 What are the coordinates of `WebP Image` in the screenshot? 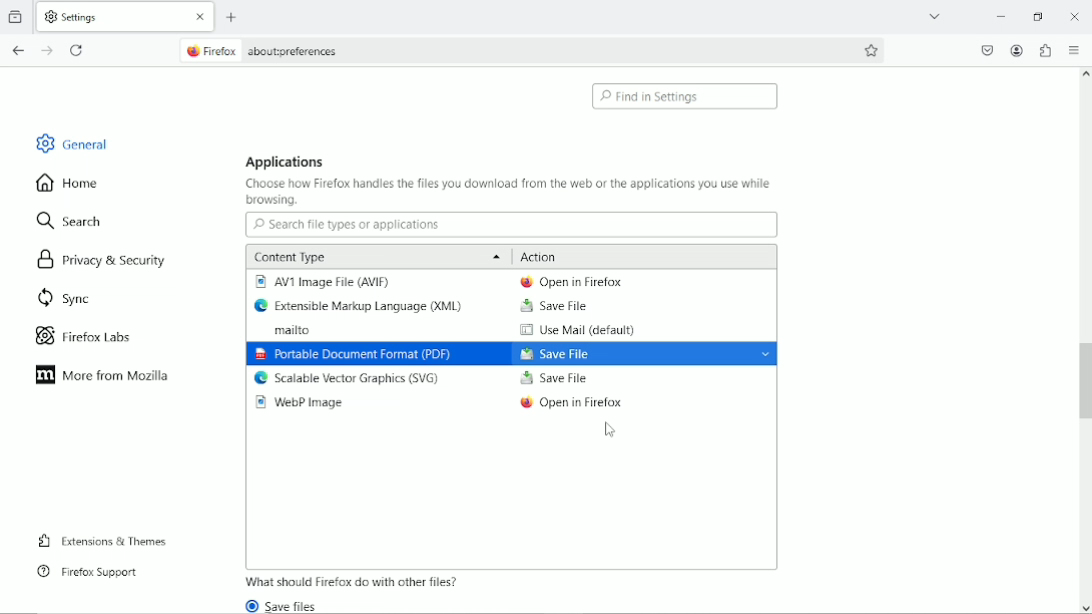 It's located at (304, 403).